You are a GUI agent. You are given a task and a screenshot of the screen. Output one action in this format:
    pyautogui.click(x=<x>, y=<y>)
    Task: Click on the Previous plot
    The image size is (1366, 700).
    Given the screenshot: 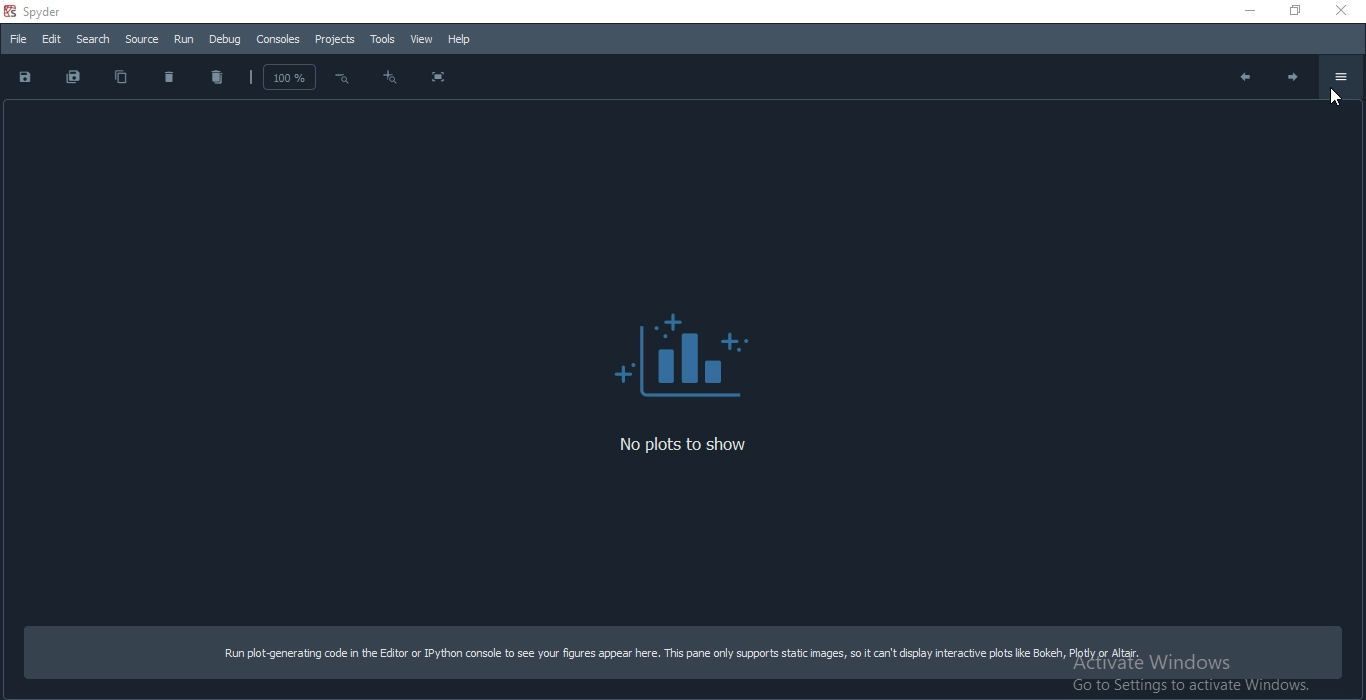 What is the action you would take?
    pyautogui.click(x=1242, y=76)
    